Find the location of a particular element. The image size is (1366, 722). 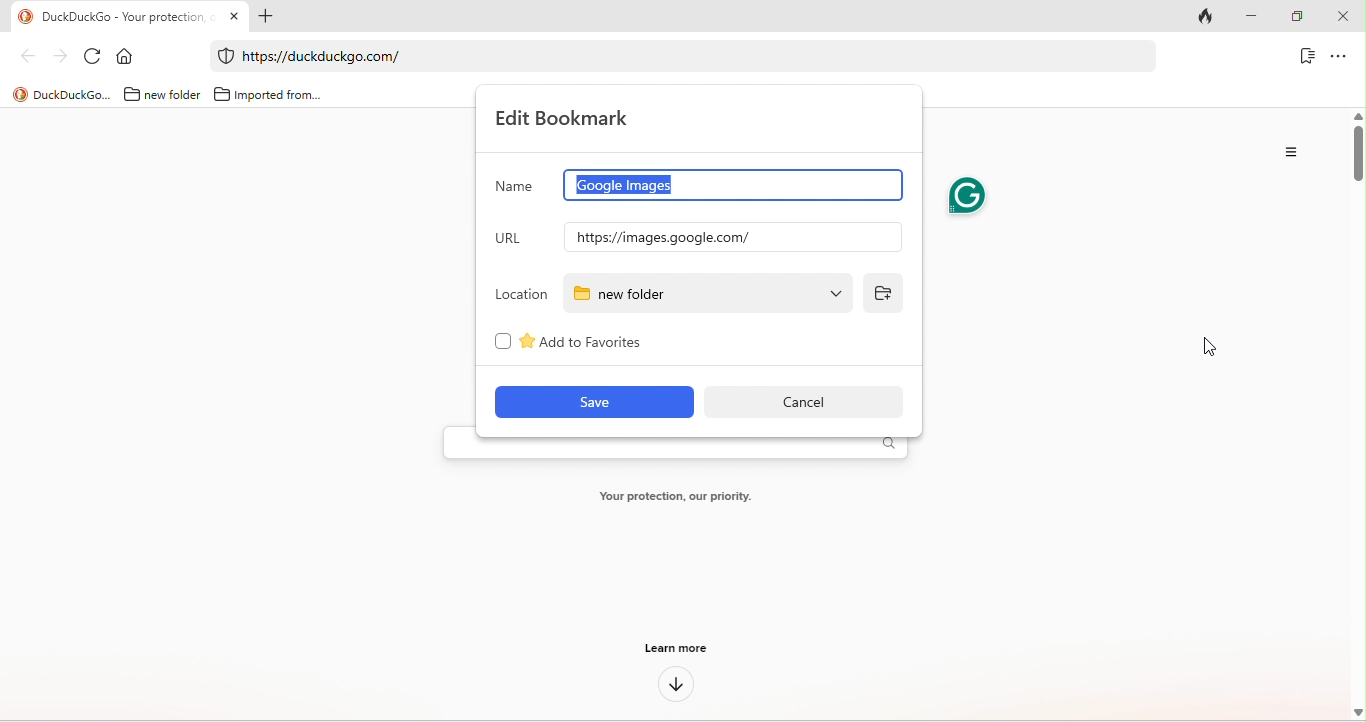

new folder is located at coordinates (703, 290).